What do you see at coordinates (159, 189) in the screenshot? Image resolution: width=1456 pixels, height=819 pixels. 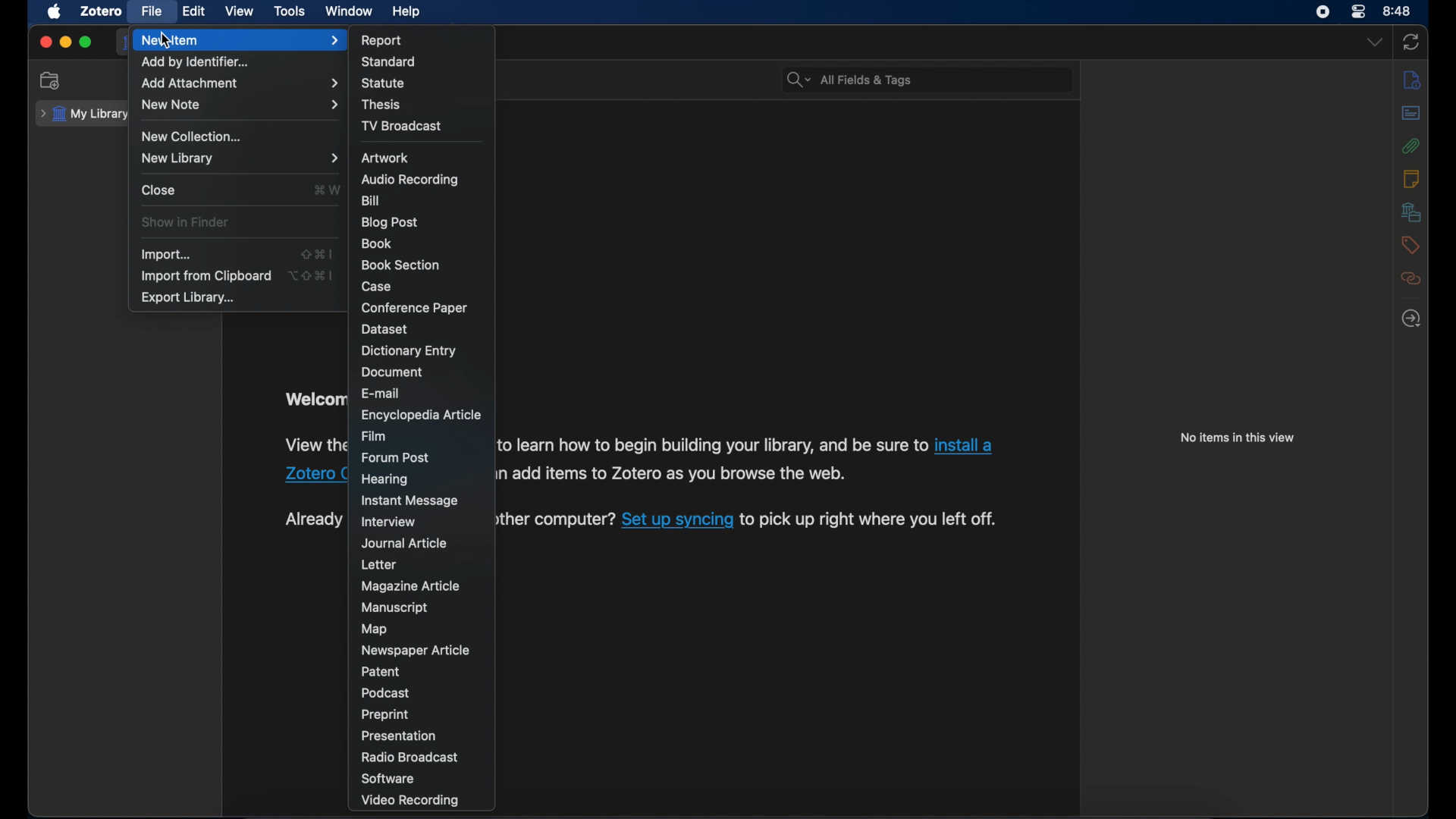 I see `close` at bounding box center [159, 189].